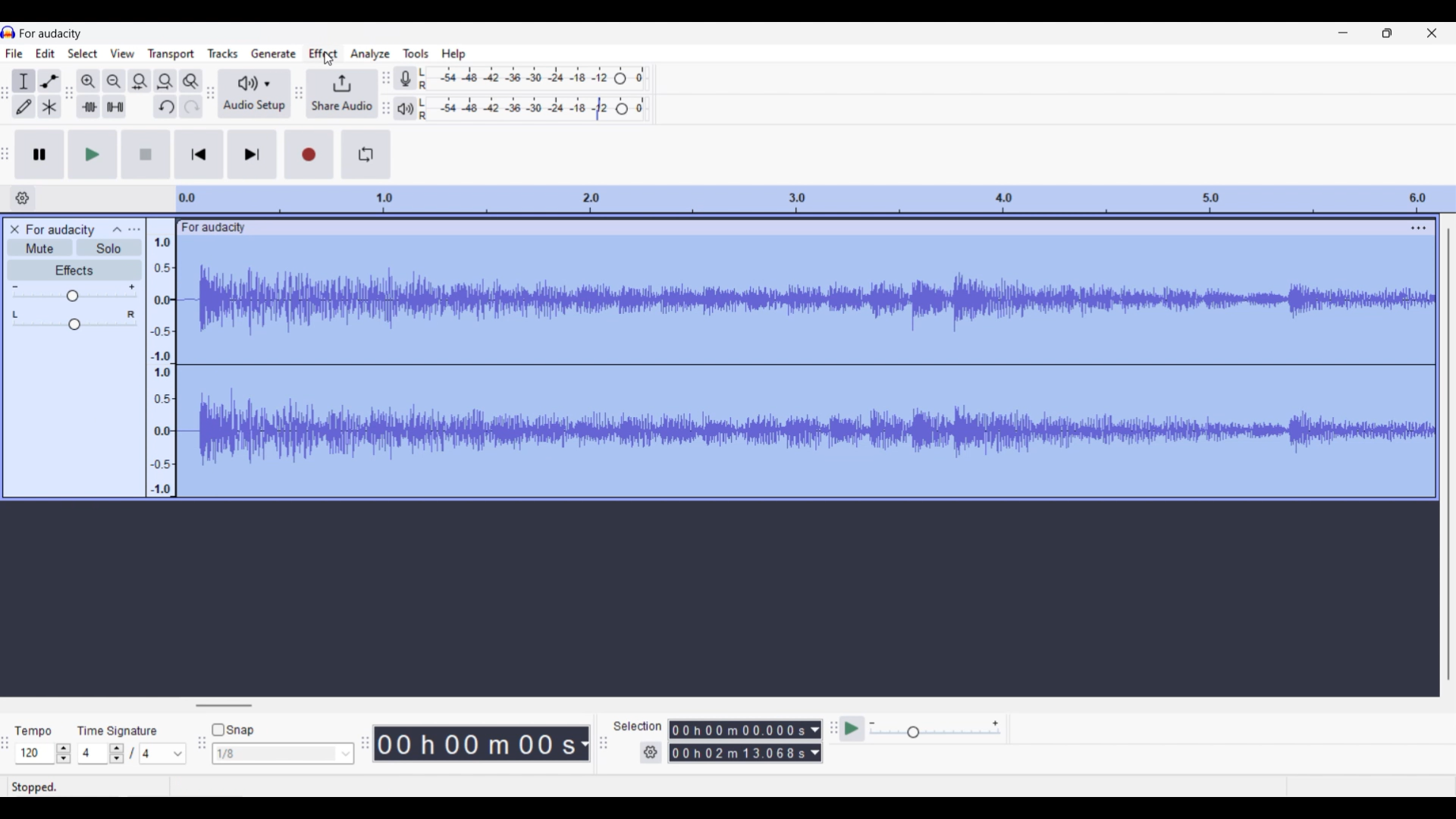  I want to click on Tracks, so click(222, 53).